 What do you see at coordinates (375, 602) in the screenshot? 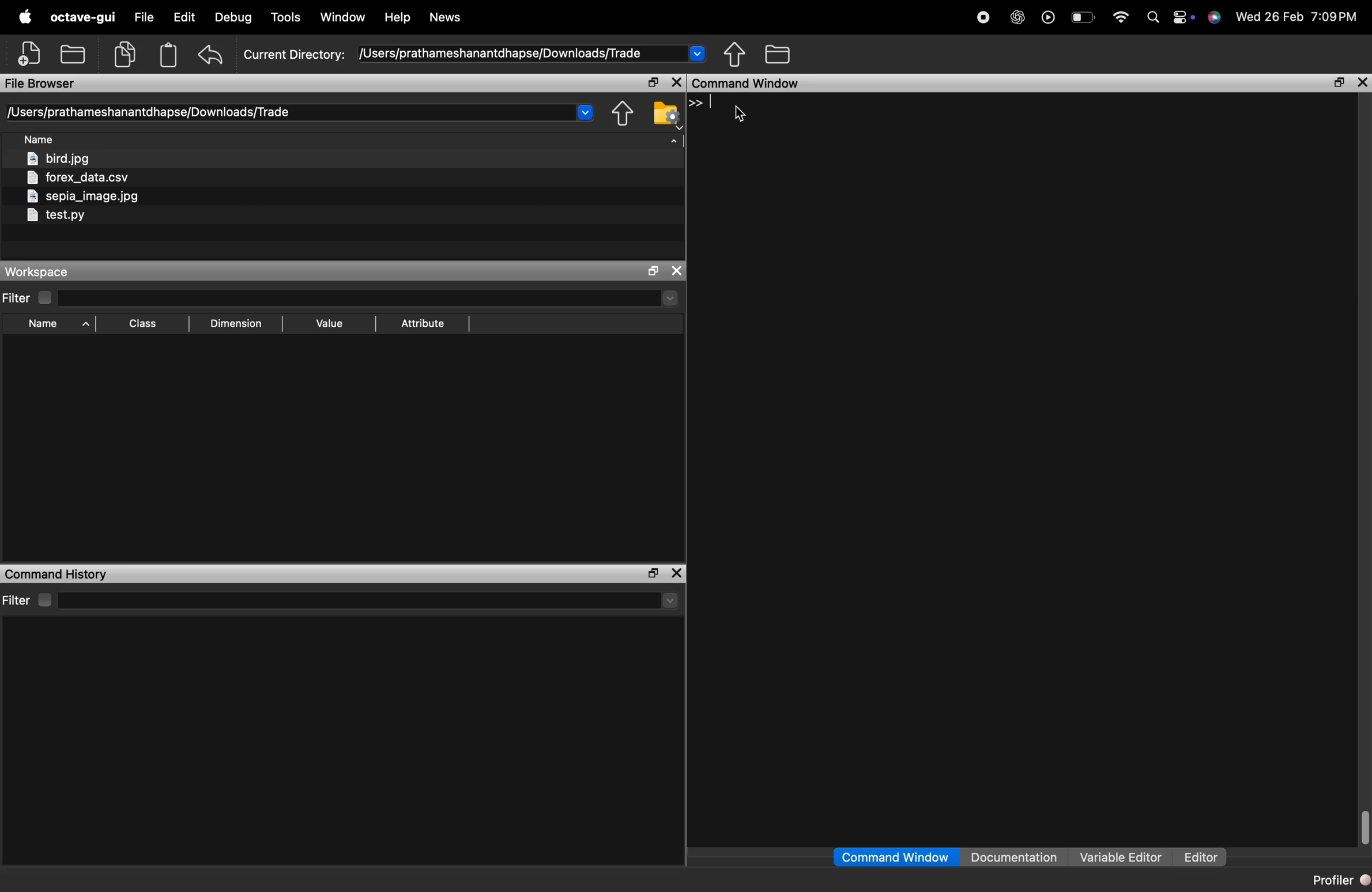
I see `select directory` at bounding box center [375, 602].